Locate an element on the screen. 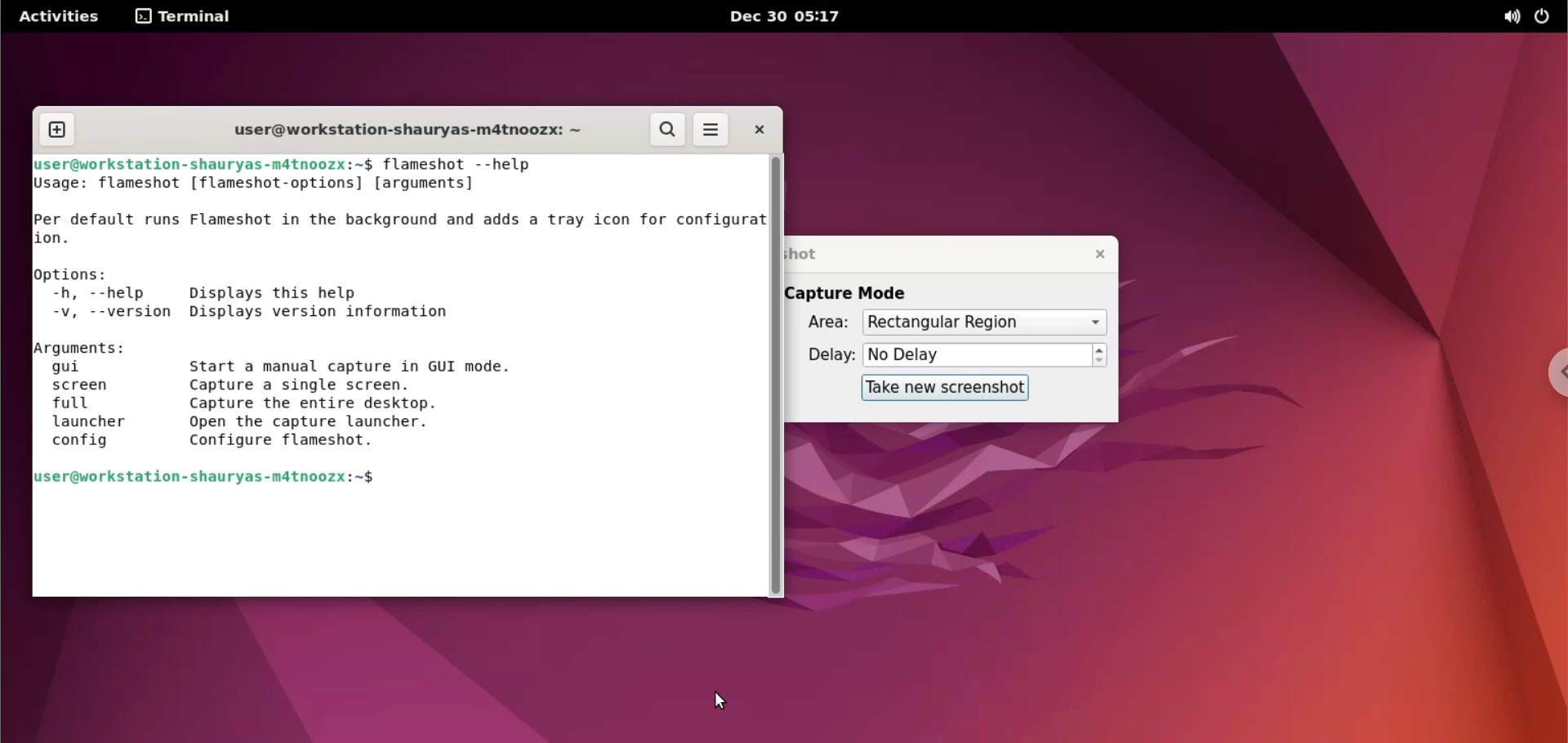  per default runs flameshot in the background and adds a tray icon for configuration is located at coordinates (401, 227).